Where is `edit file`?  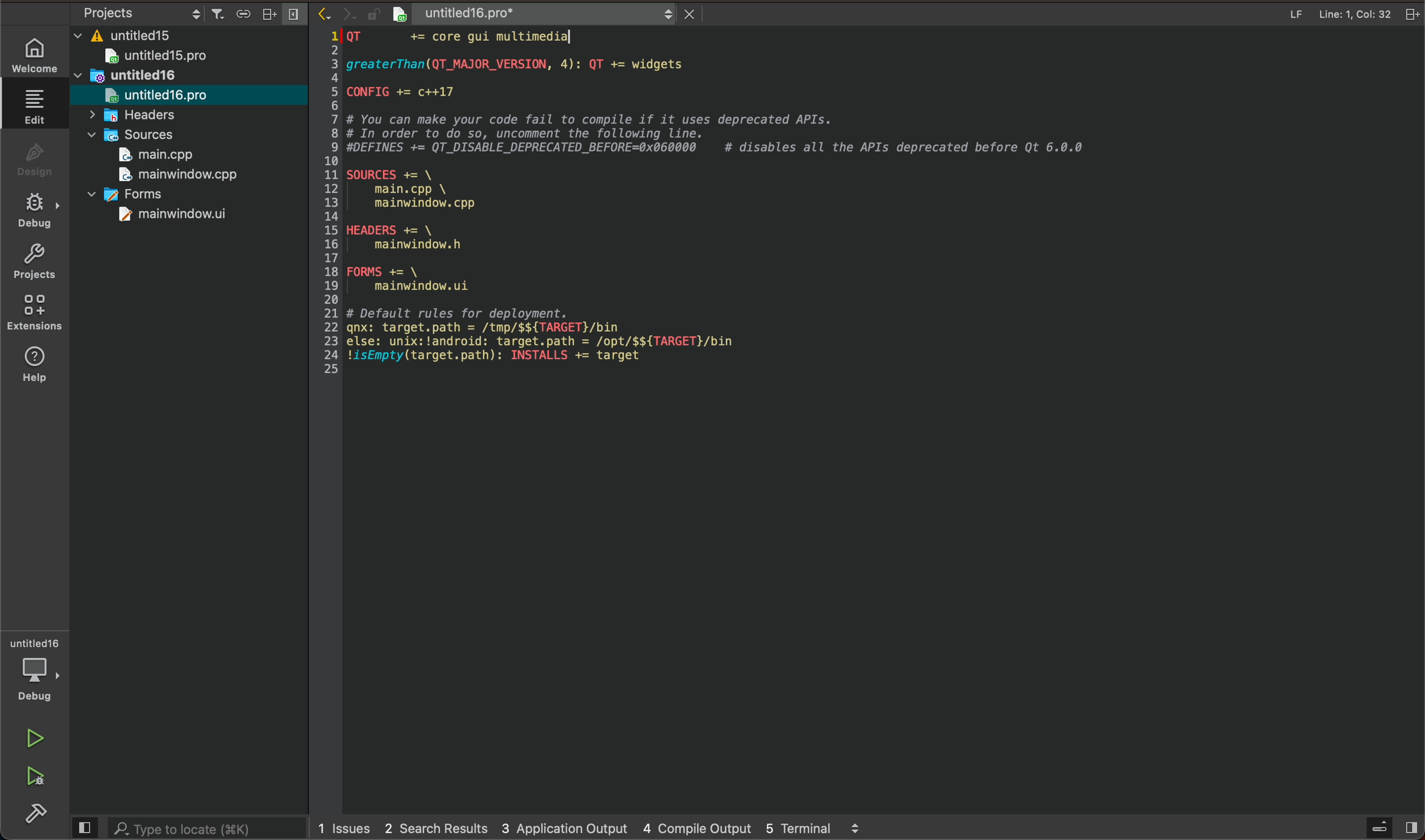 edit file is located at coordinates (36, 107).